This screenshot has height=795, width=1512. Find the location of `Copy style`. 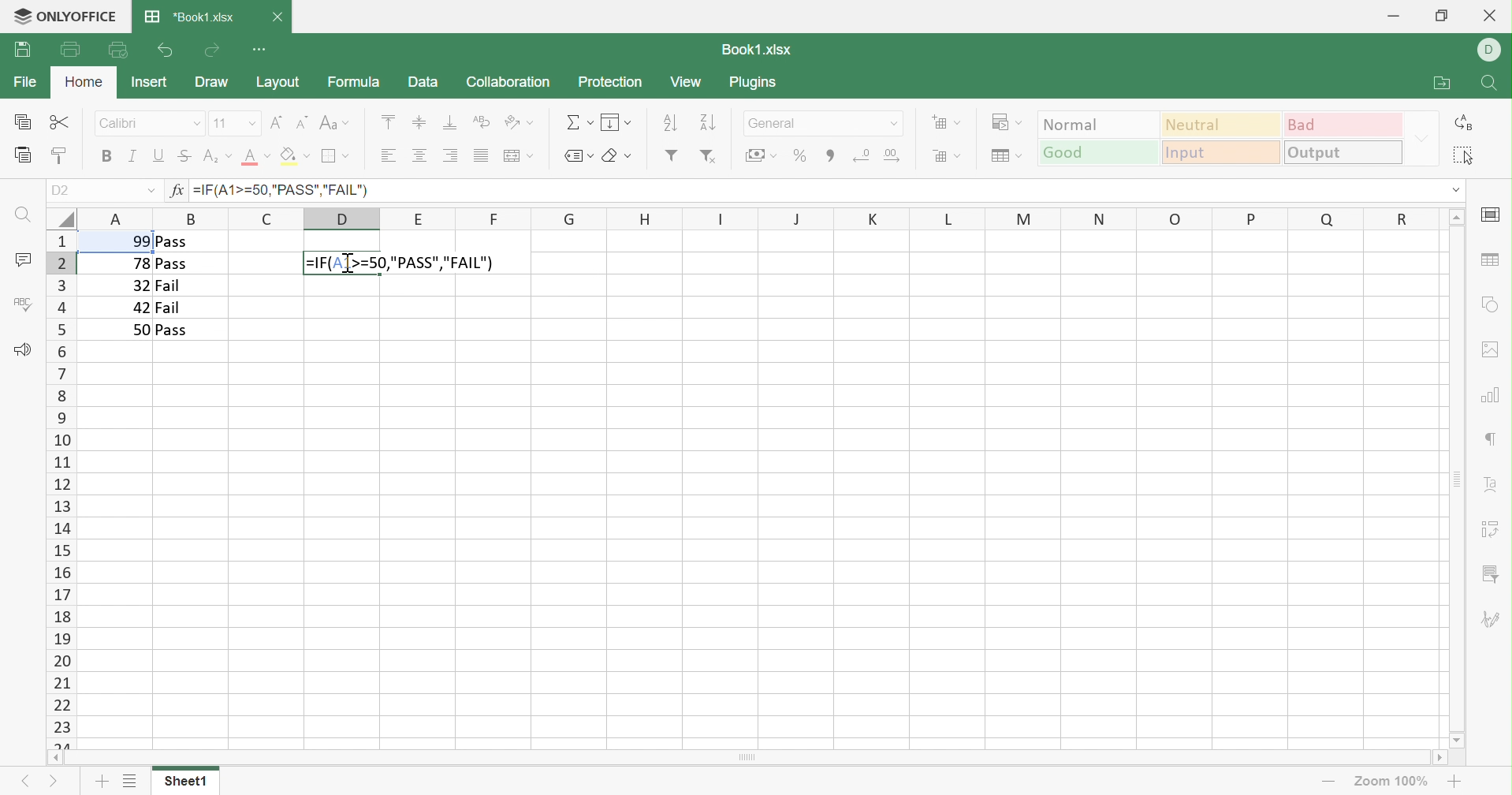

Copy style is located at coordinates (58, 157).